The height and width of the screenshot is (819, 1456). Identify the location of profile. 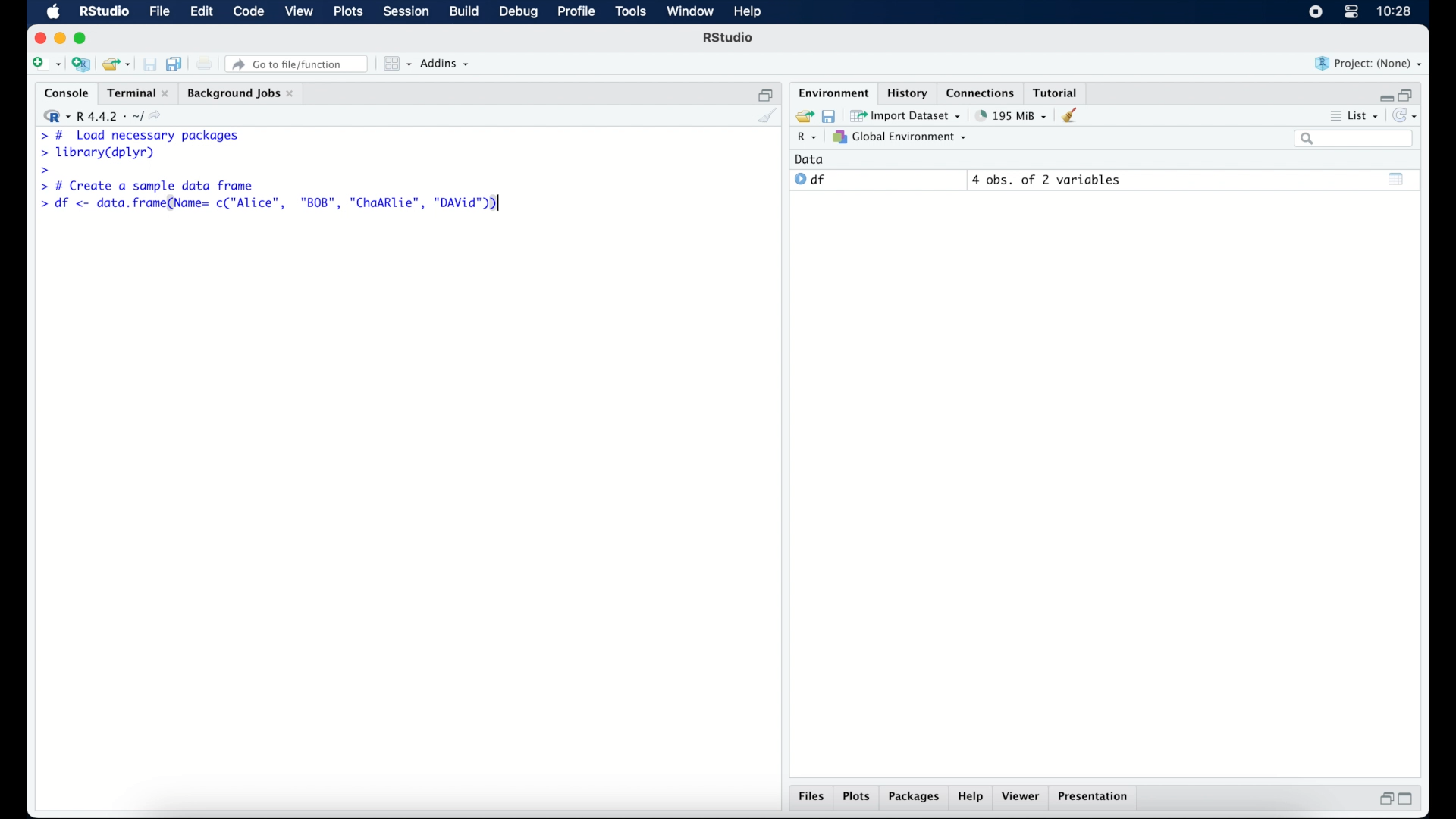
(576, 12).